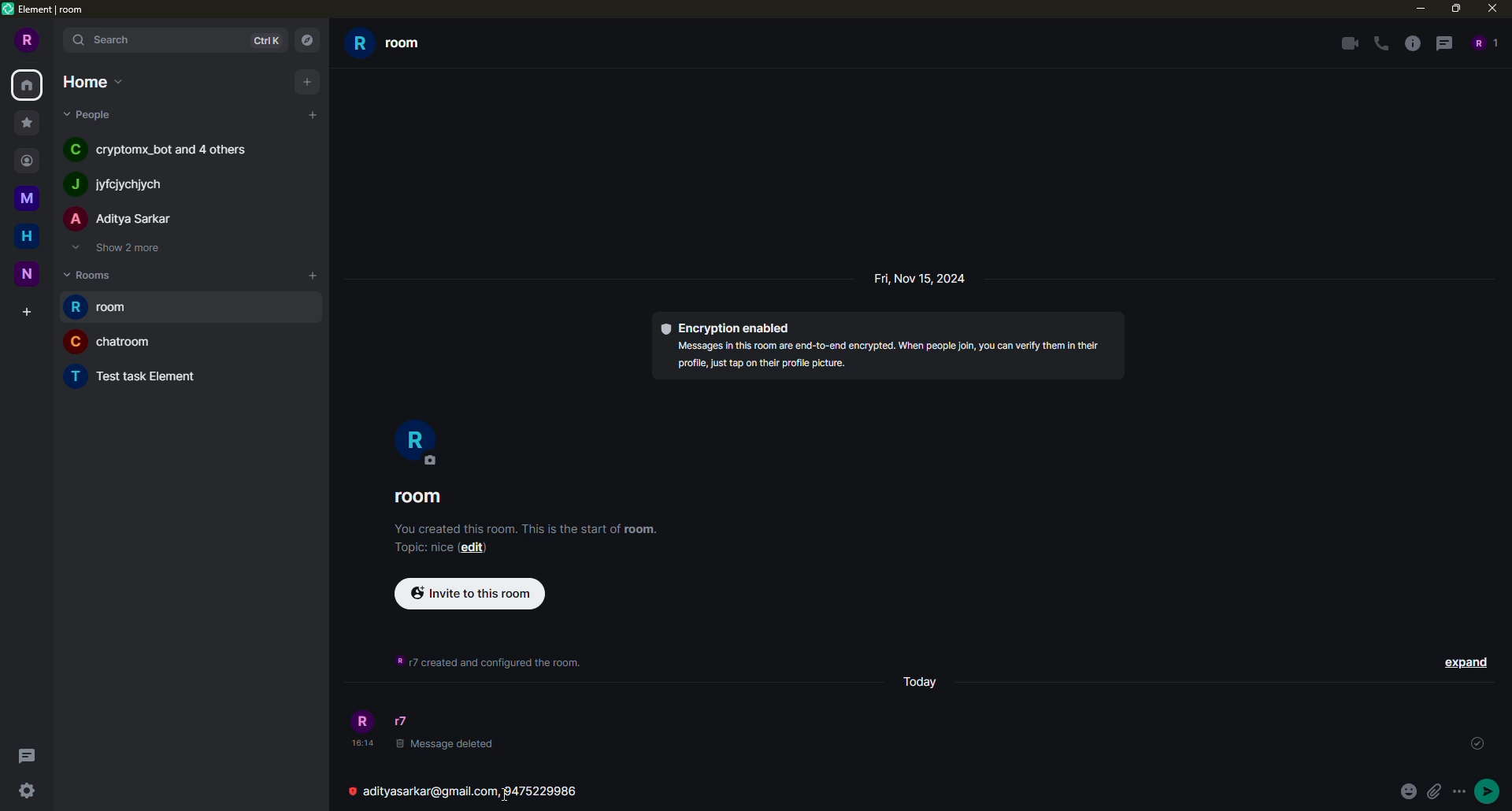 This screenshot has height=811, width=1512. Describe the element at coordinates (1410, 43) in the screenshot. I see `info` at that location.